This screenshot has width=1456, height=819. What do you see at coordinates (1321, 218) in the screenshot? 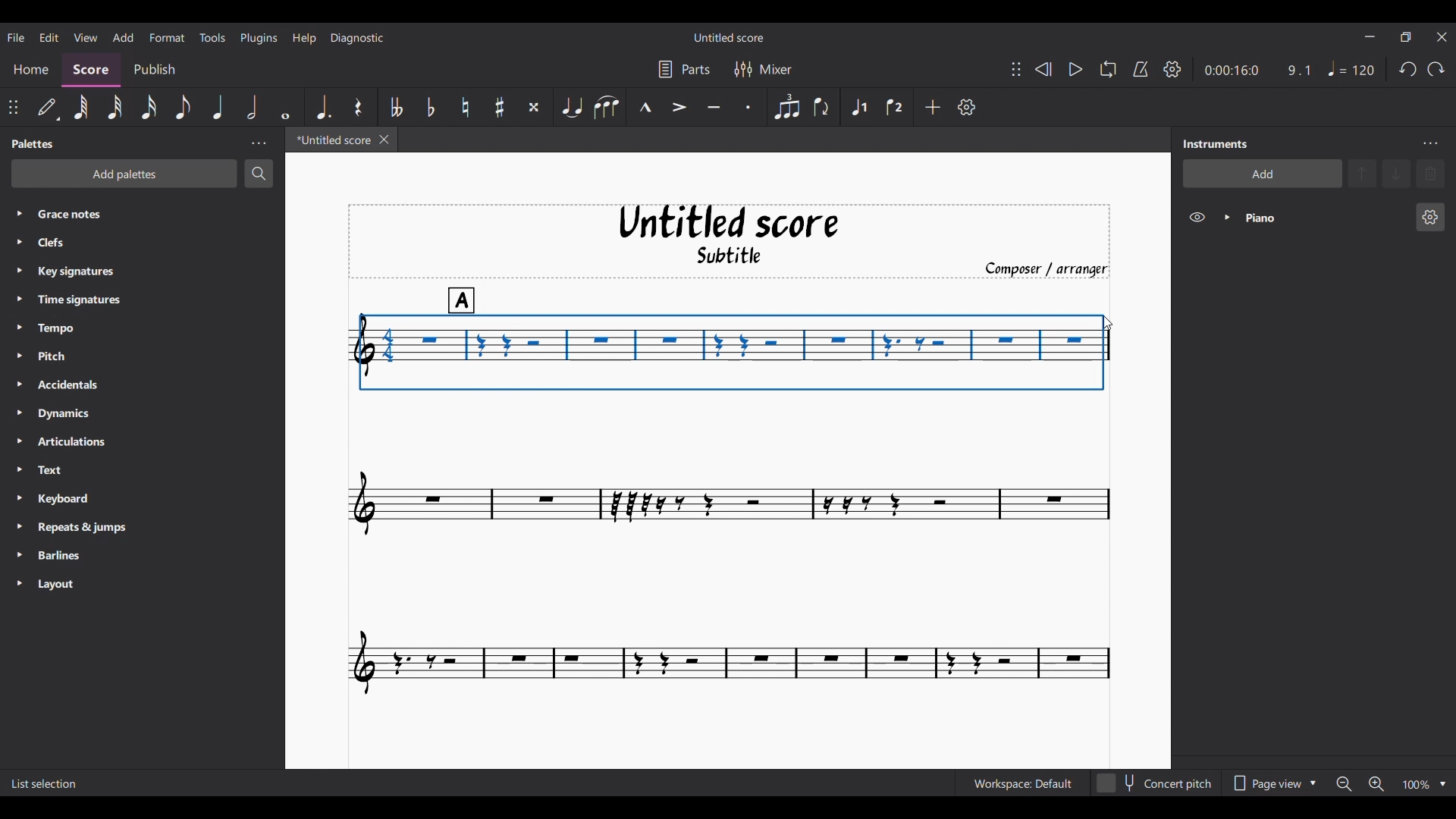
I see `Current instrument` at bounding box center [1321, 218].